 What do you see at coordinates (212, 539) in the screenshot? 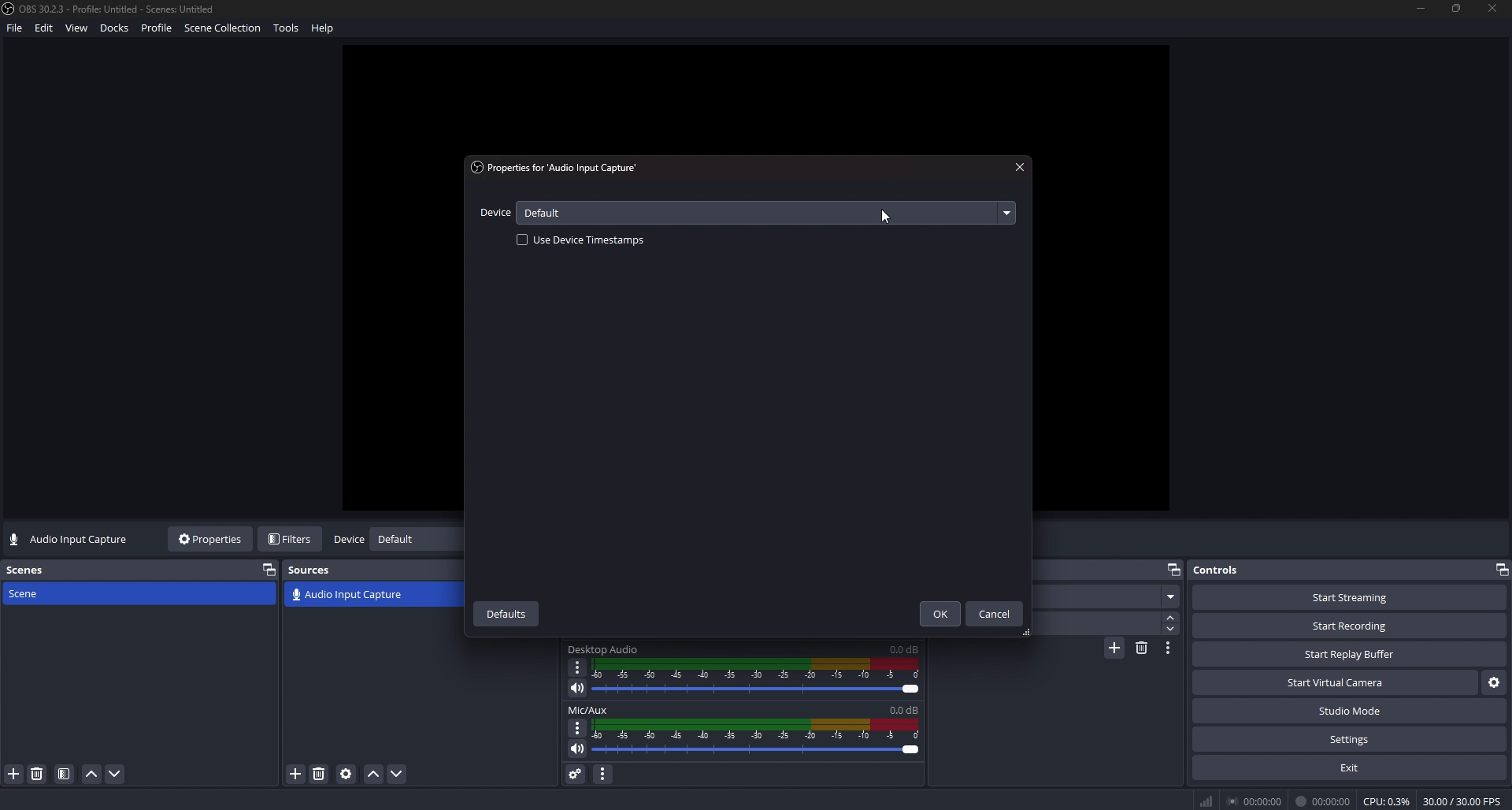
I see `properties` at bounding box center [212, 539].